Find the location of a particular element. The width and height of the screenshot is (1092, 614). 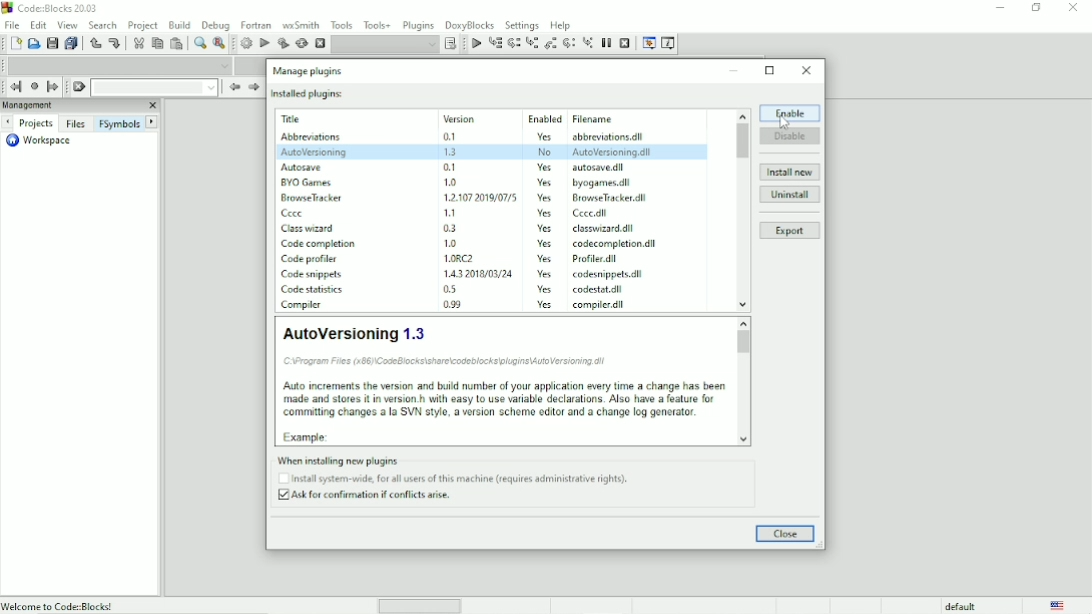

Stop debugger is located at coordinates (625, 42).